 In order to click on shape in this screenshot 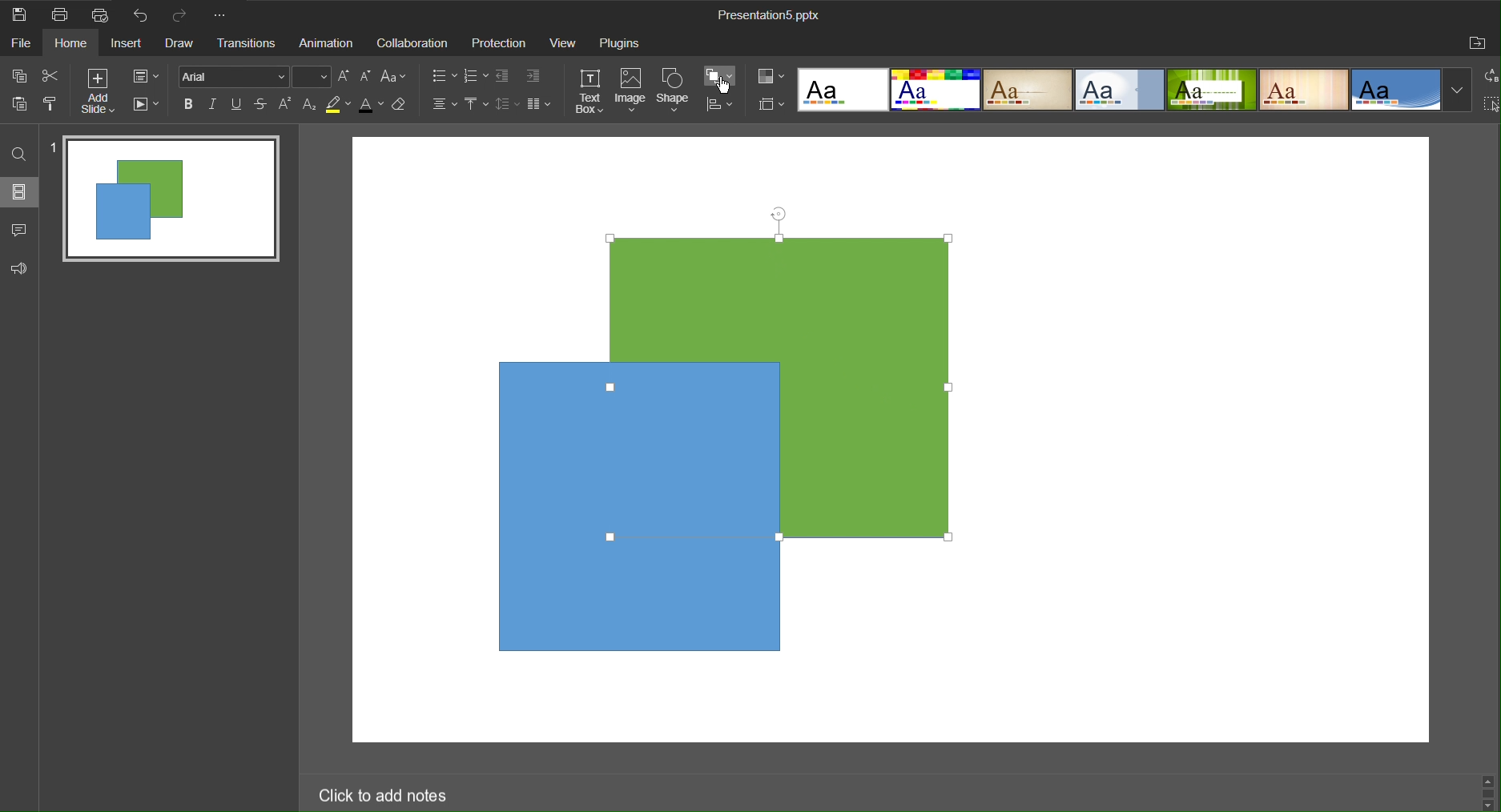, I will do `click(528, 504)`.